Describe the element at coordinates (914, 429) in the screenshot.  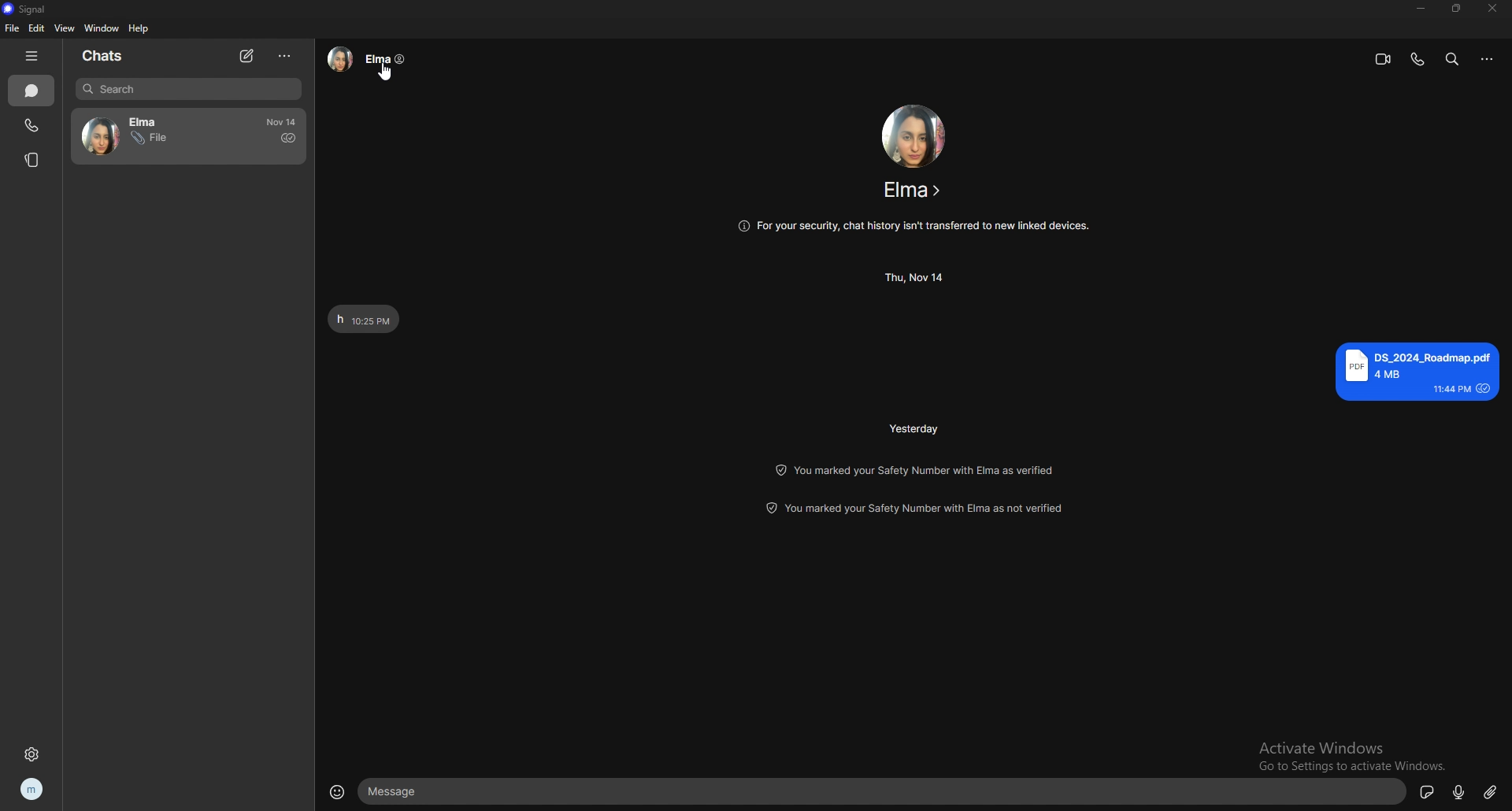
I see `time` at that location.